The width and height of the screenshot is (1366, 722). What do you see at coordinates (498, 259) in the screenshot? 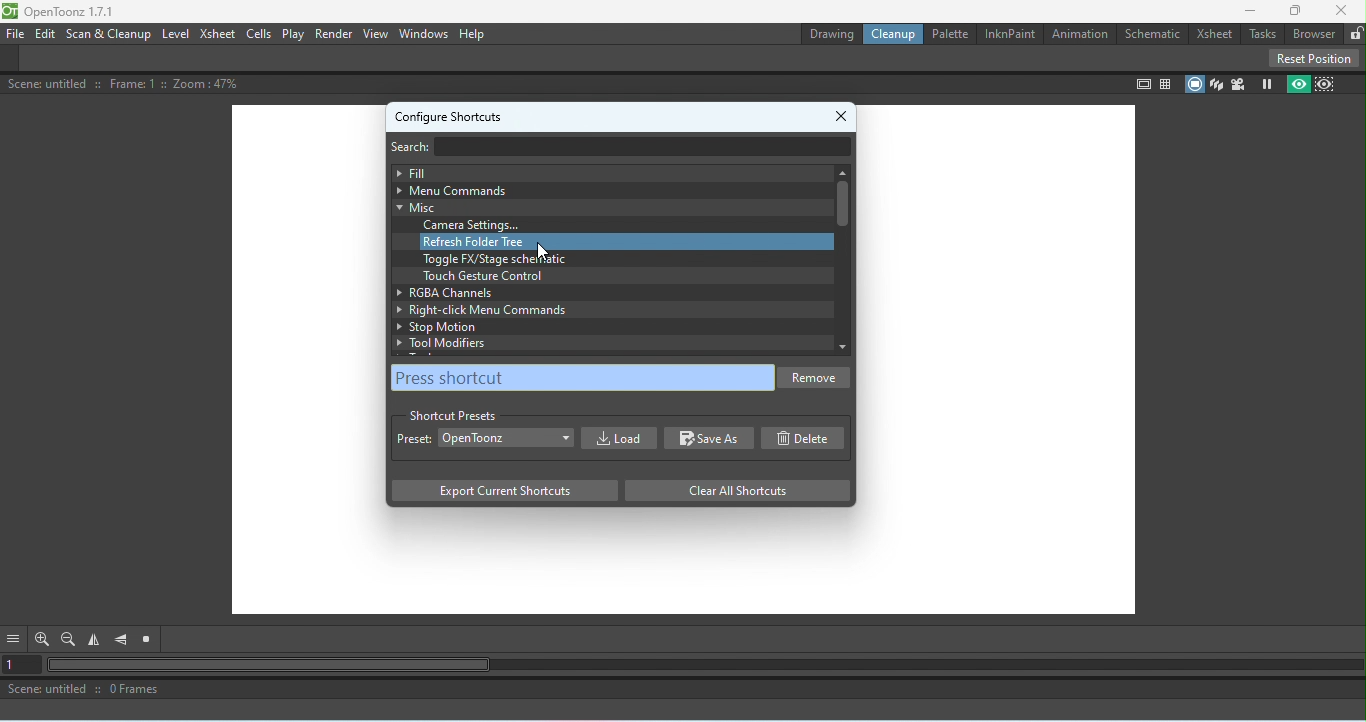
I see `Toggle FX/Stage Schematic` at bounding box center [498, 259].